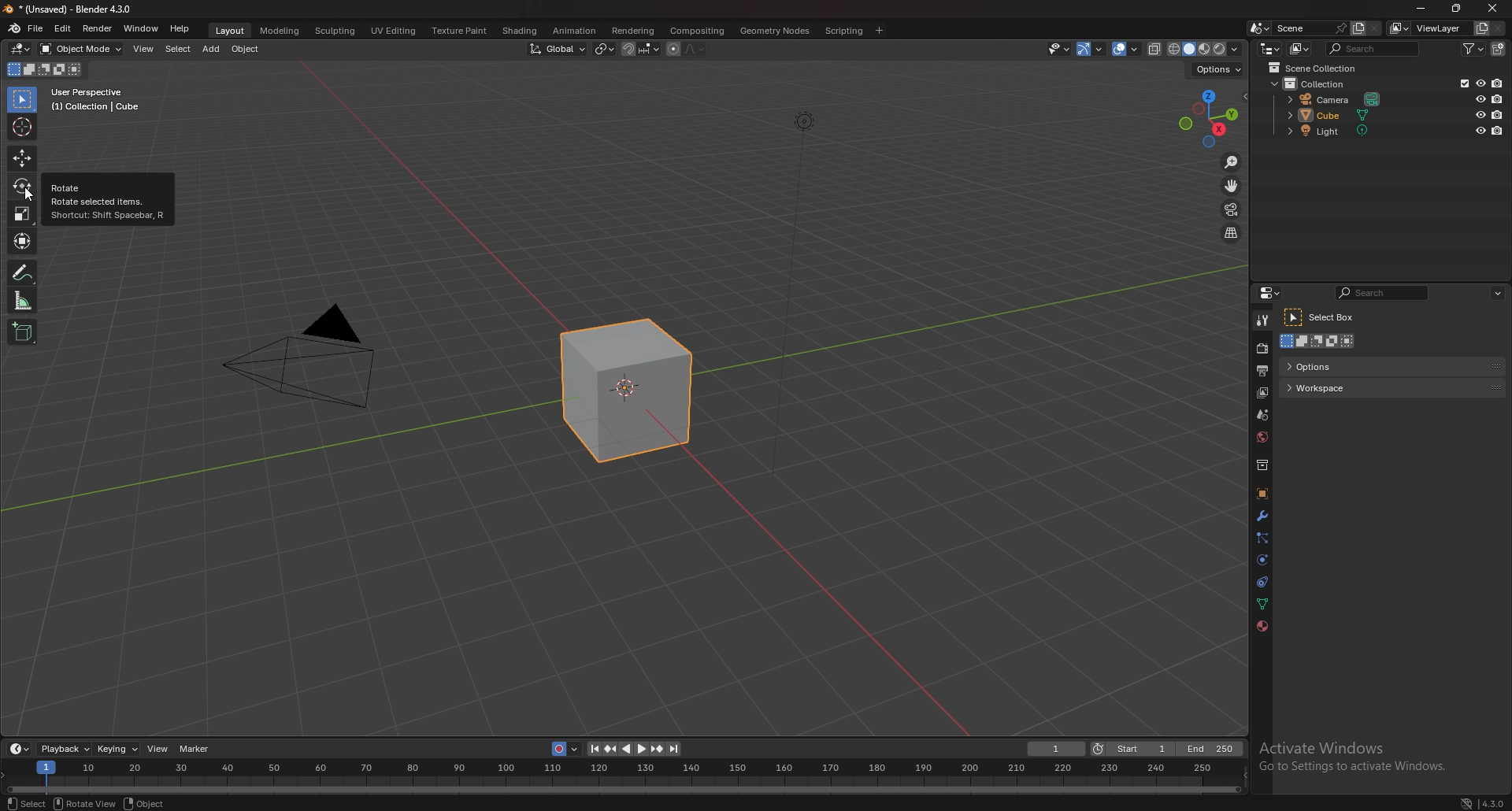 This screenshot has width=1512, height=811. I want to click on help, so click(181, 29).